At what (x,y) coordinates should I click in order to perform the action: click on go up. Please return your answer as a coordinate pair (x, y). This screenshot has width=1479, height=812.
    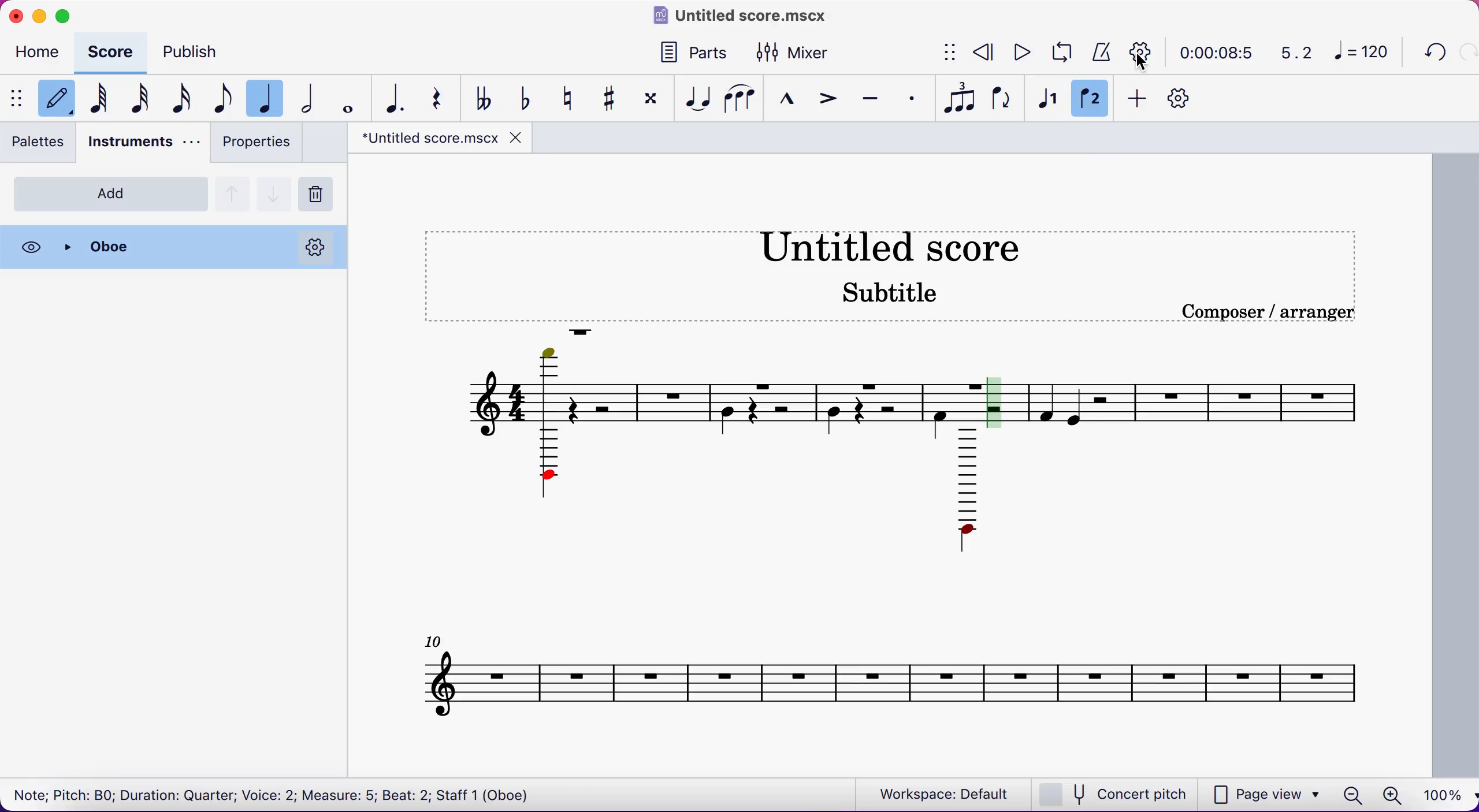
    Looking at the image, I should click on (233, 192).